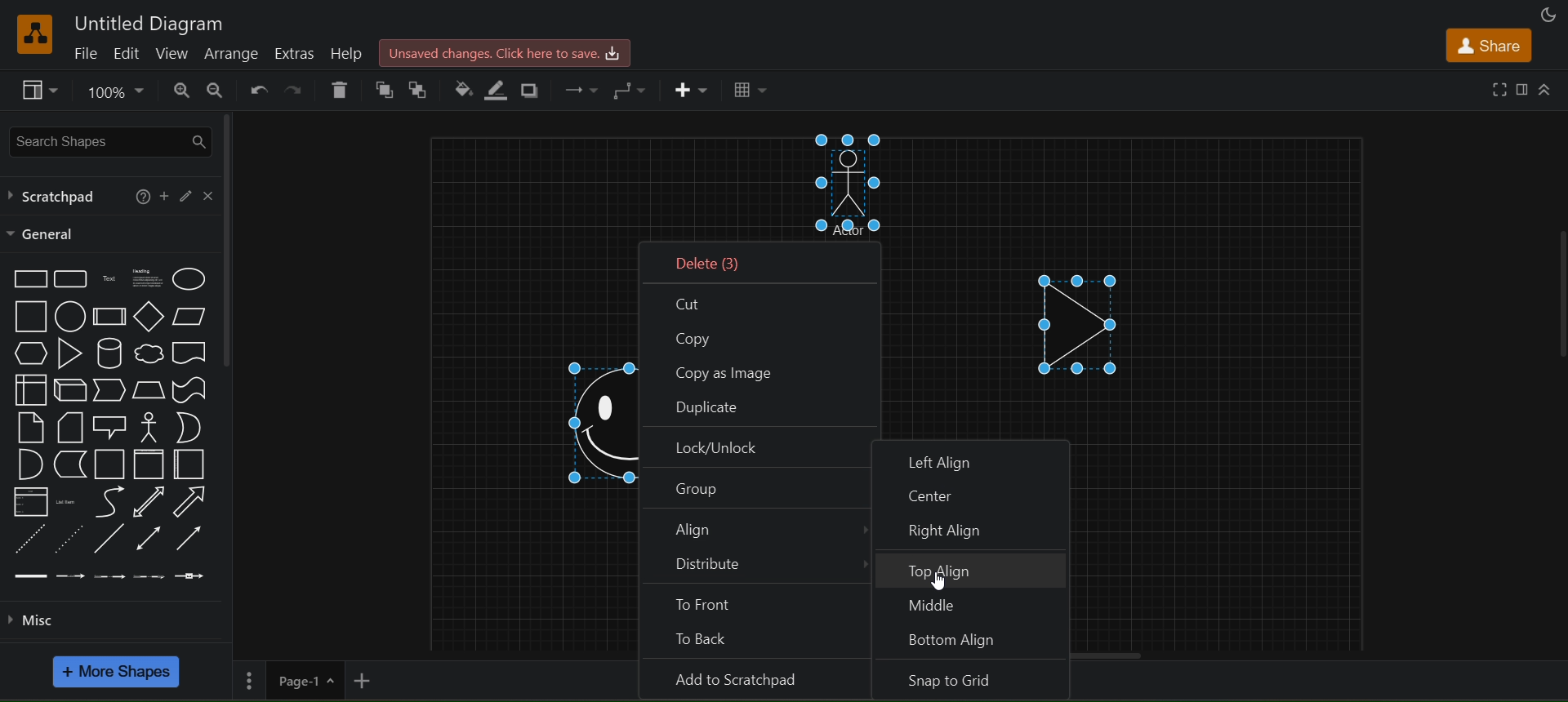  What do you see at coordinates (384, 87) in the screenshot?
I see `to front` at bounding box center [384, 87].